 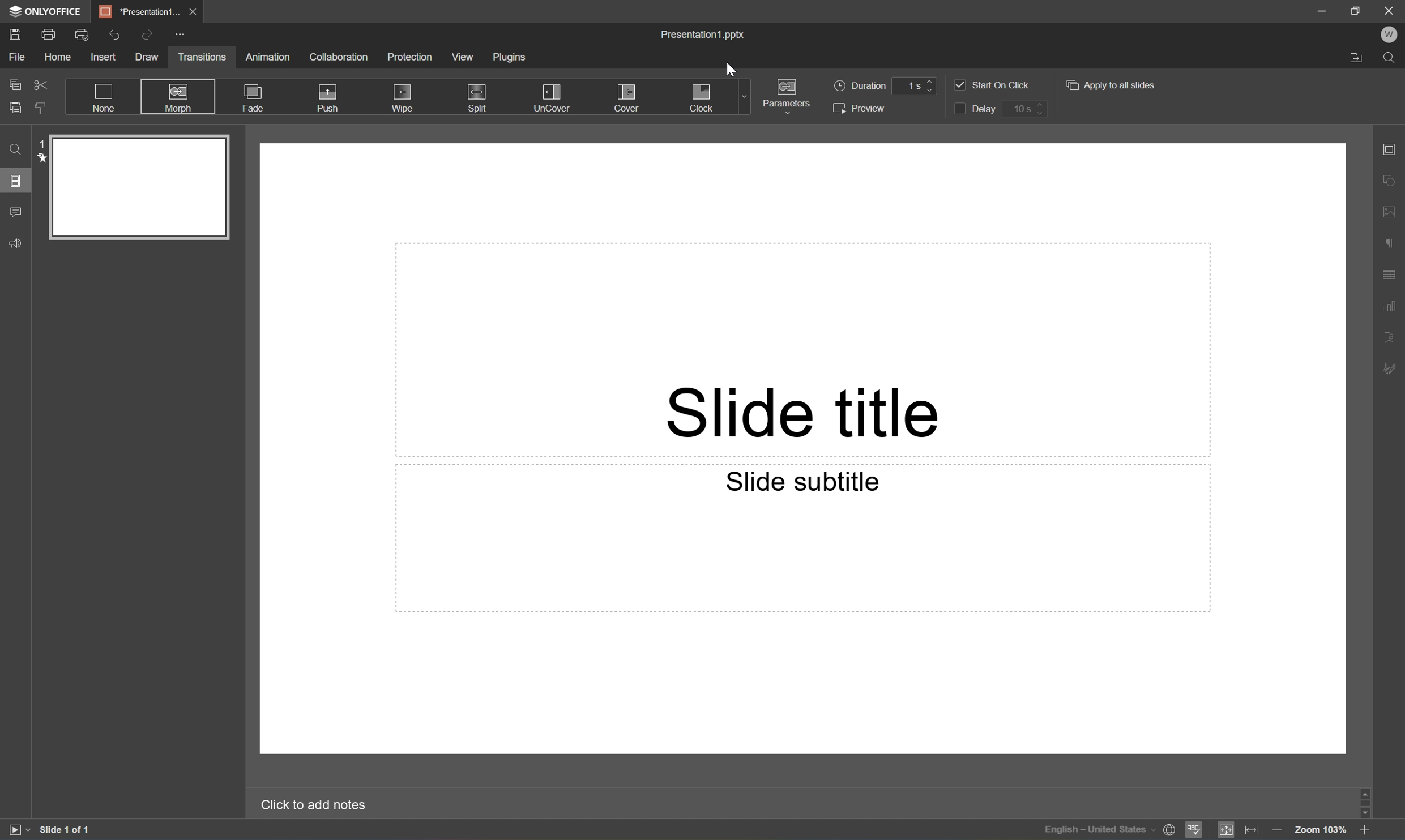 What do you see at coordinates (956, 84) in the screenshot?
I see `Checkbox` at bounding box center [956, 84].